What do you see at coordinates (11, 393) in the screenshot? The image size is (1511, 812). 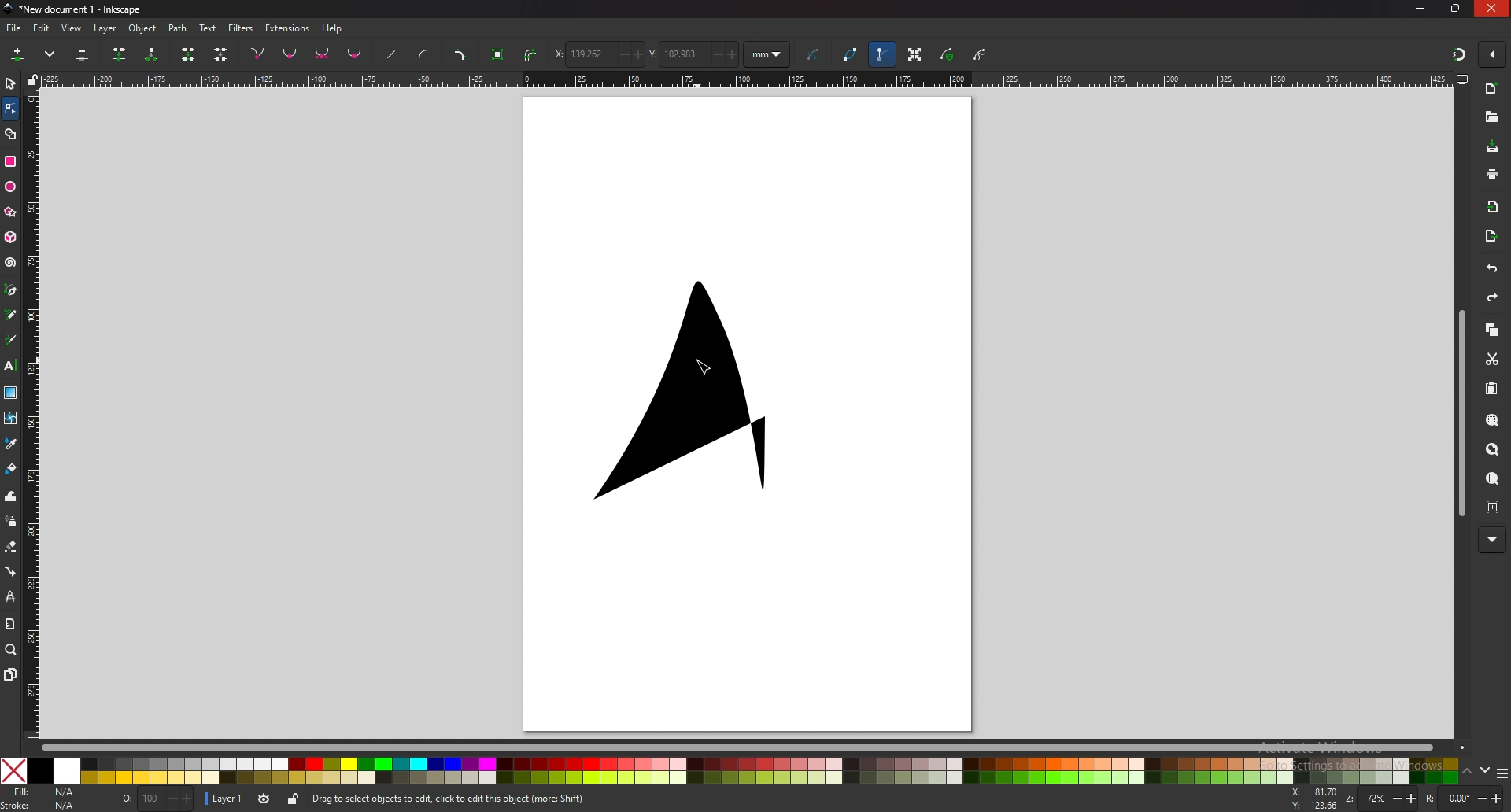 I see `gradient` at bounding box center [11, 393].